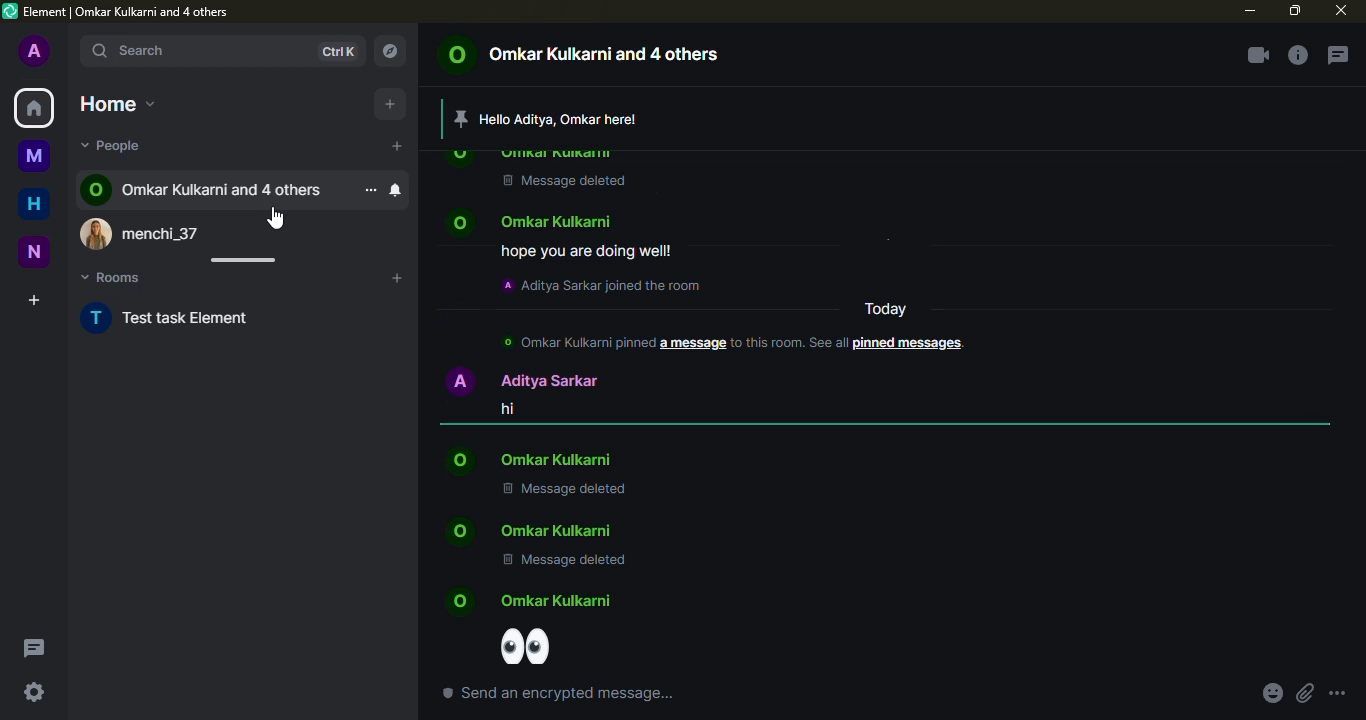  Describe the element at coordinates (113, 145) in the screenshot. I see `people` at that location.